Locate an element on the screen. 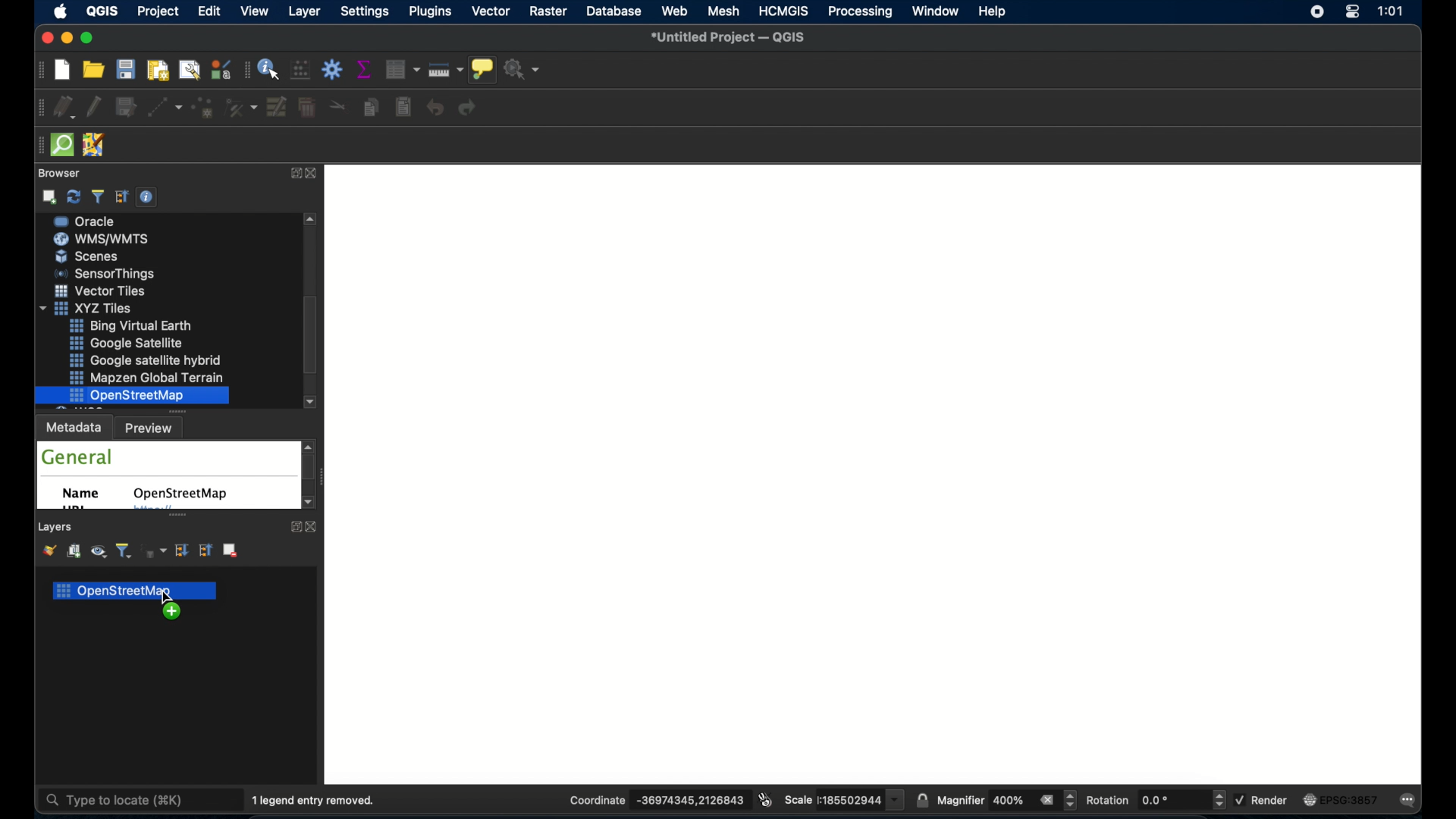 Image resolution: width=1456 pixels, height=819 pixels. metadata is located at coordinates (74, 428).